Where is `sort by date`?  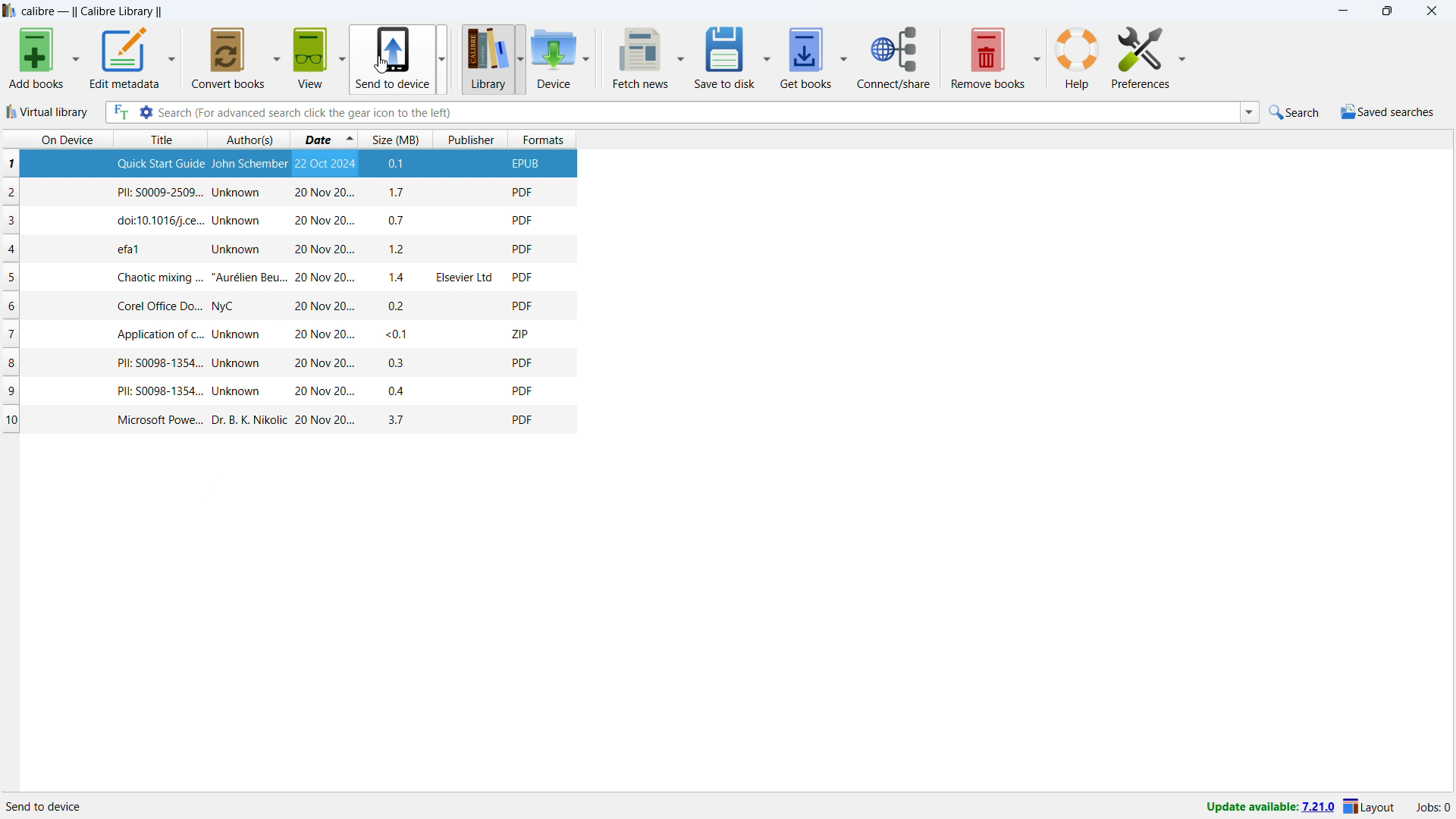
sort by date is located at coordinates (324, 139).